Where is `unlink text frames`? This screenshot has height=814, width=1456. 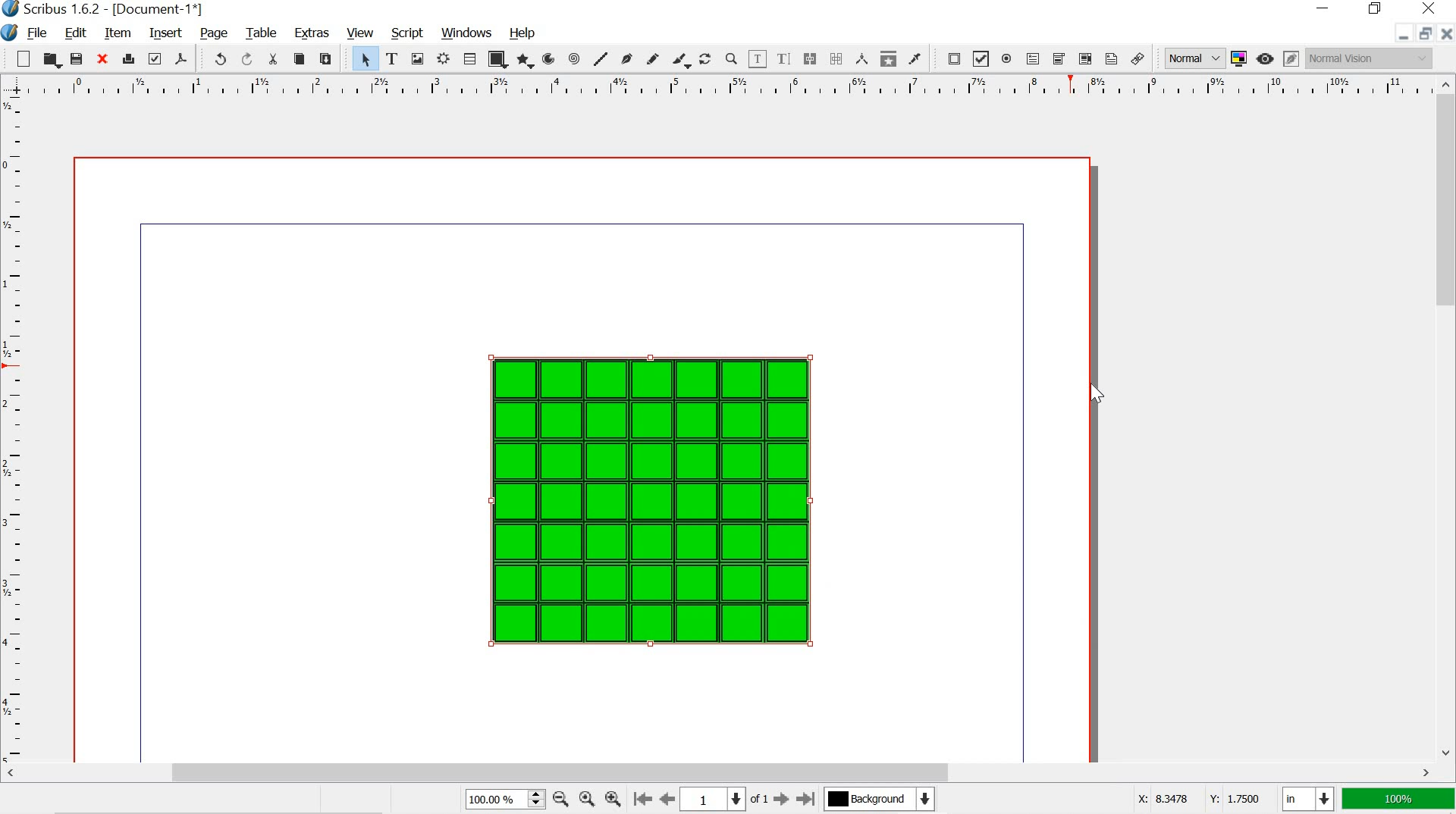
unlink text frames is located at coordinates (838, 57).